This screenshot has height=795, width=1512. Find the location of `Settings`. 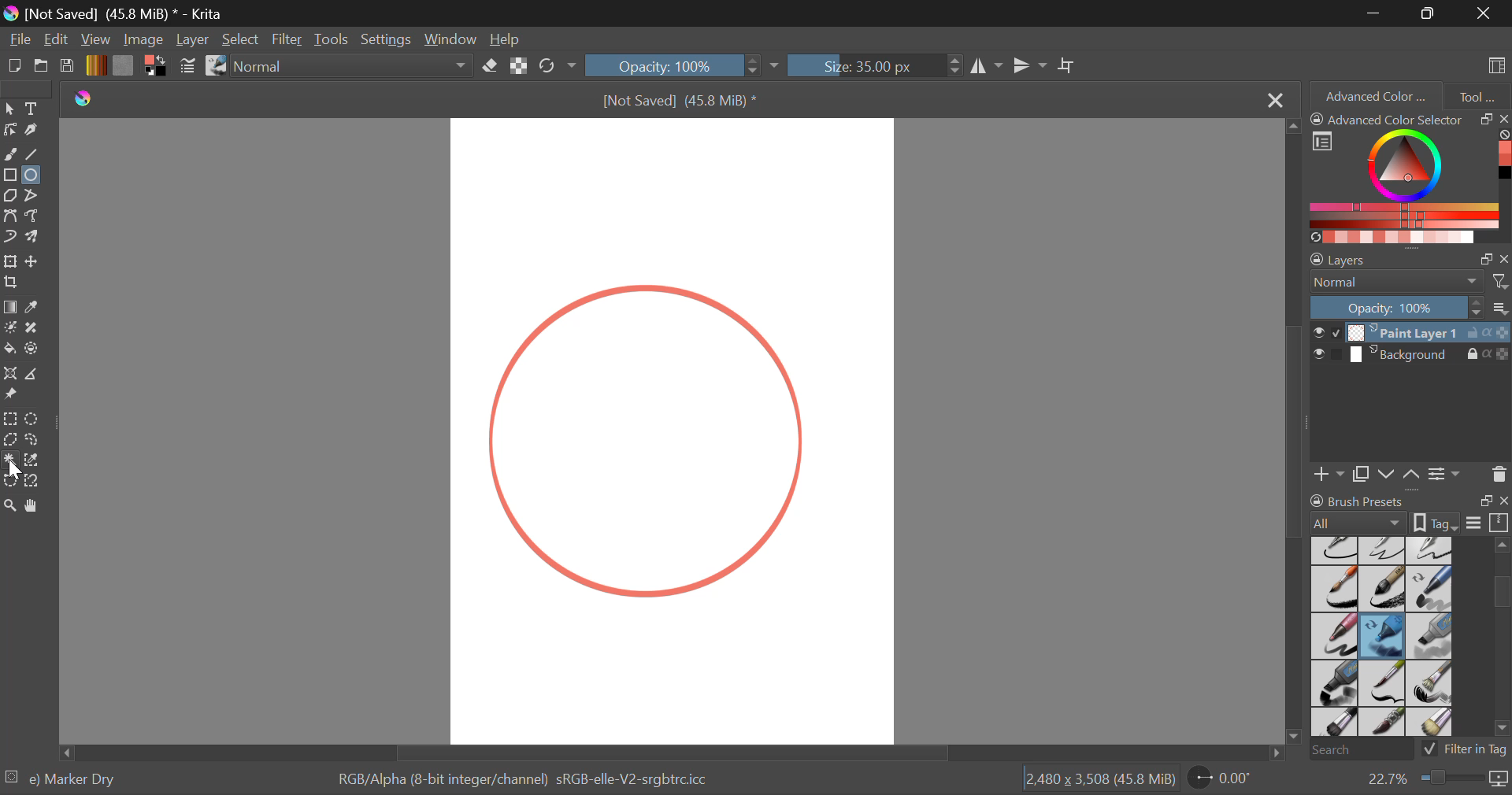

Settings is located at coordinates (1444, 473).